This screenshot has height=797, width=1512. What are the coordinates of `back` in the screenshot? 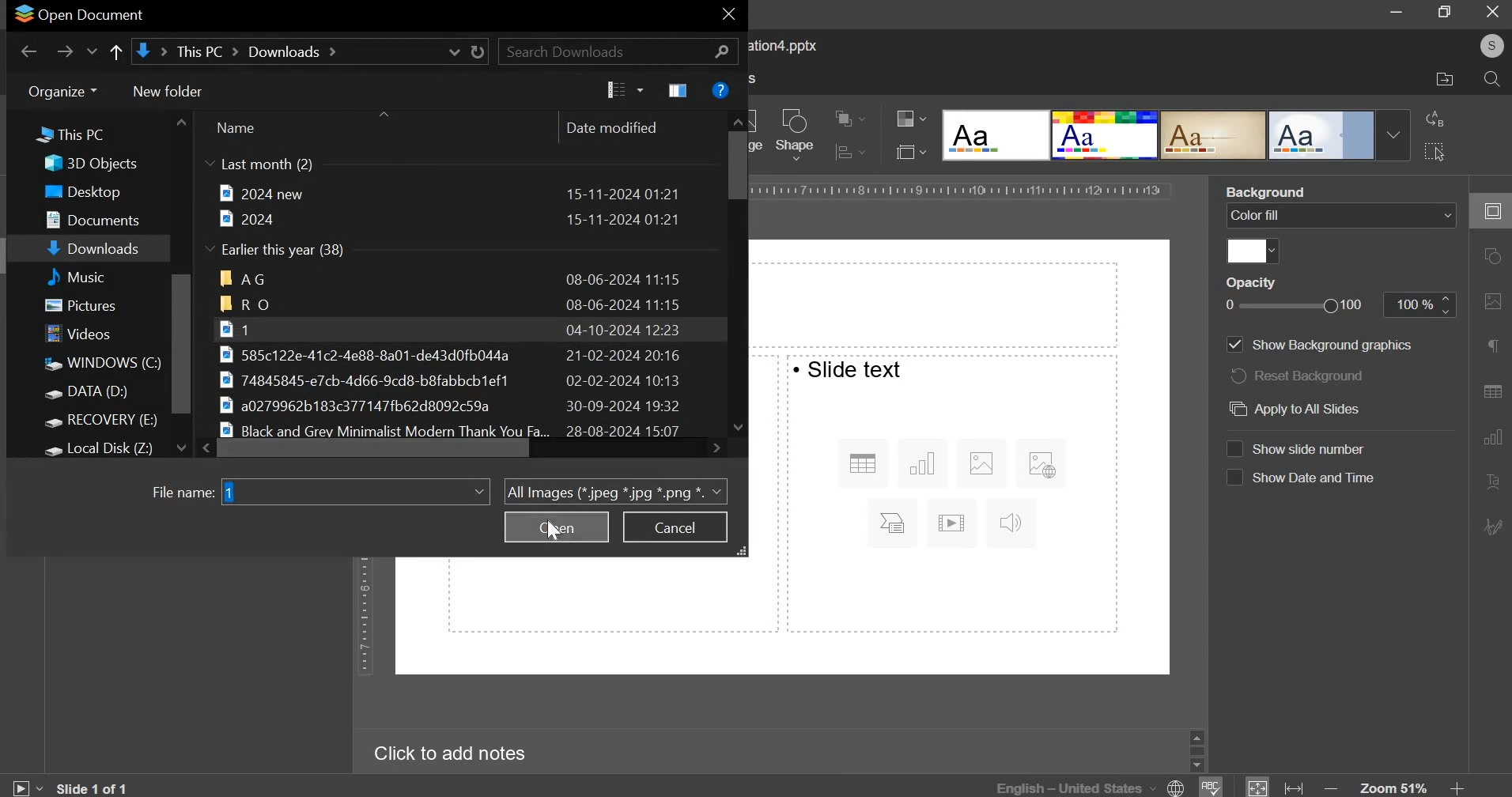 It's located at (29, 51).